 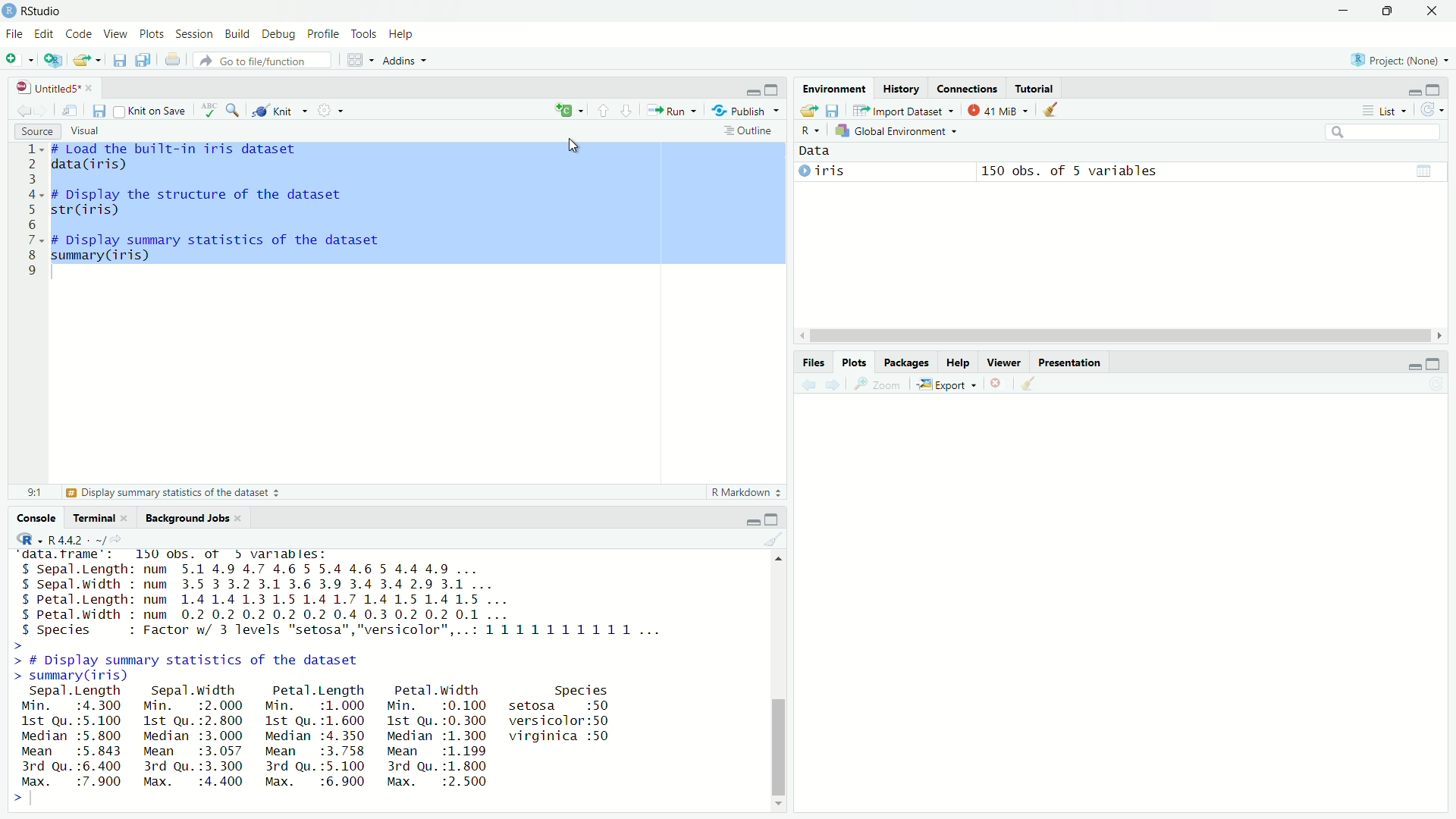 What do you see at coordinates (103, 518) in the screenshot?
I see `Terminal` at bounding box center [103, 518].